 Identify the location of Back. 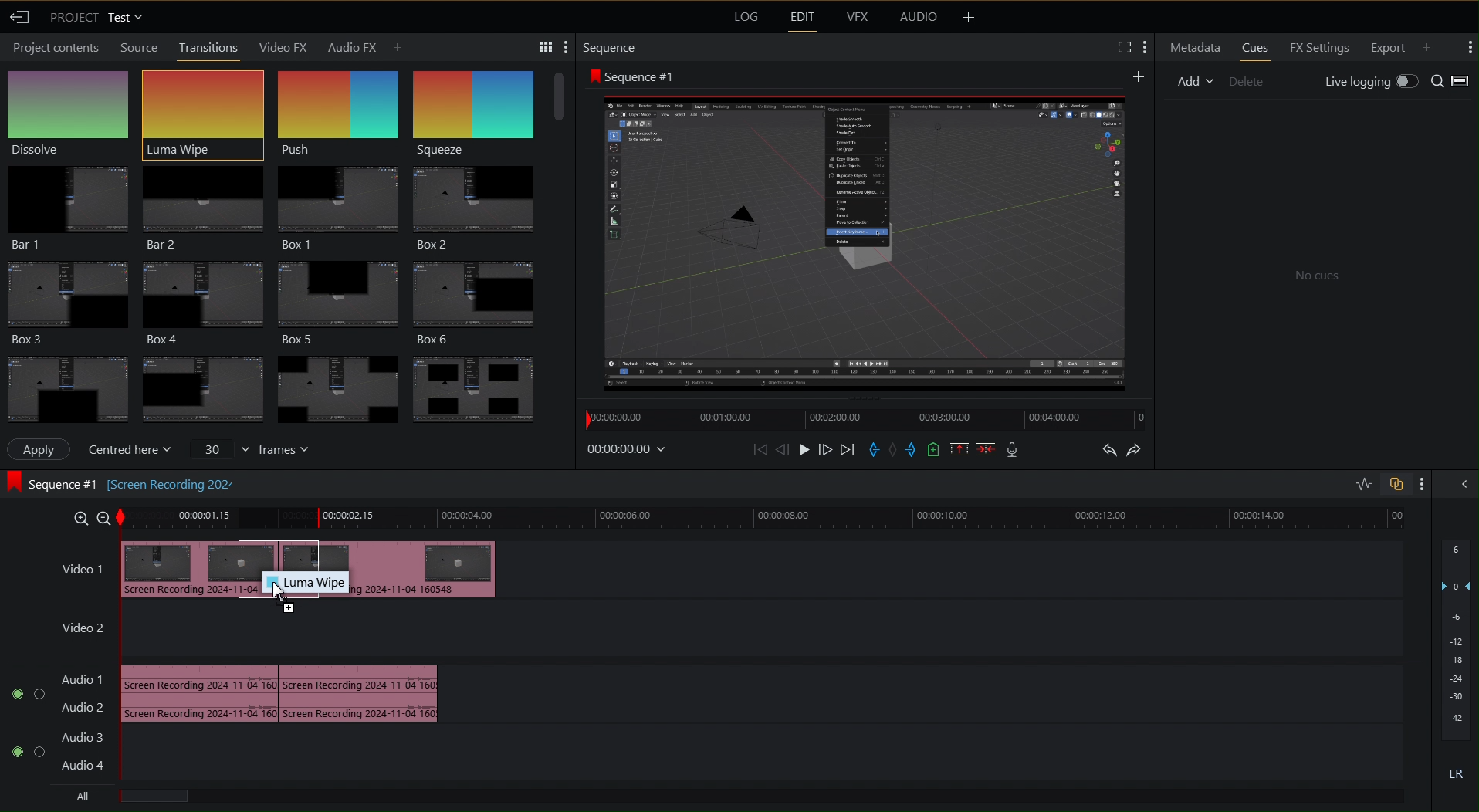
(22, 18).